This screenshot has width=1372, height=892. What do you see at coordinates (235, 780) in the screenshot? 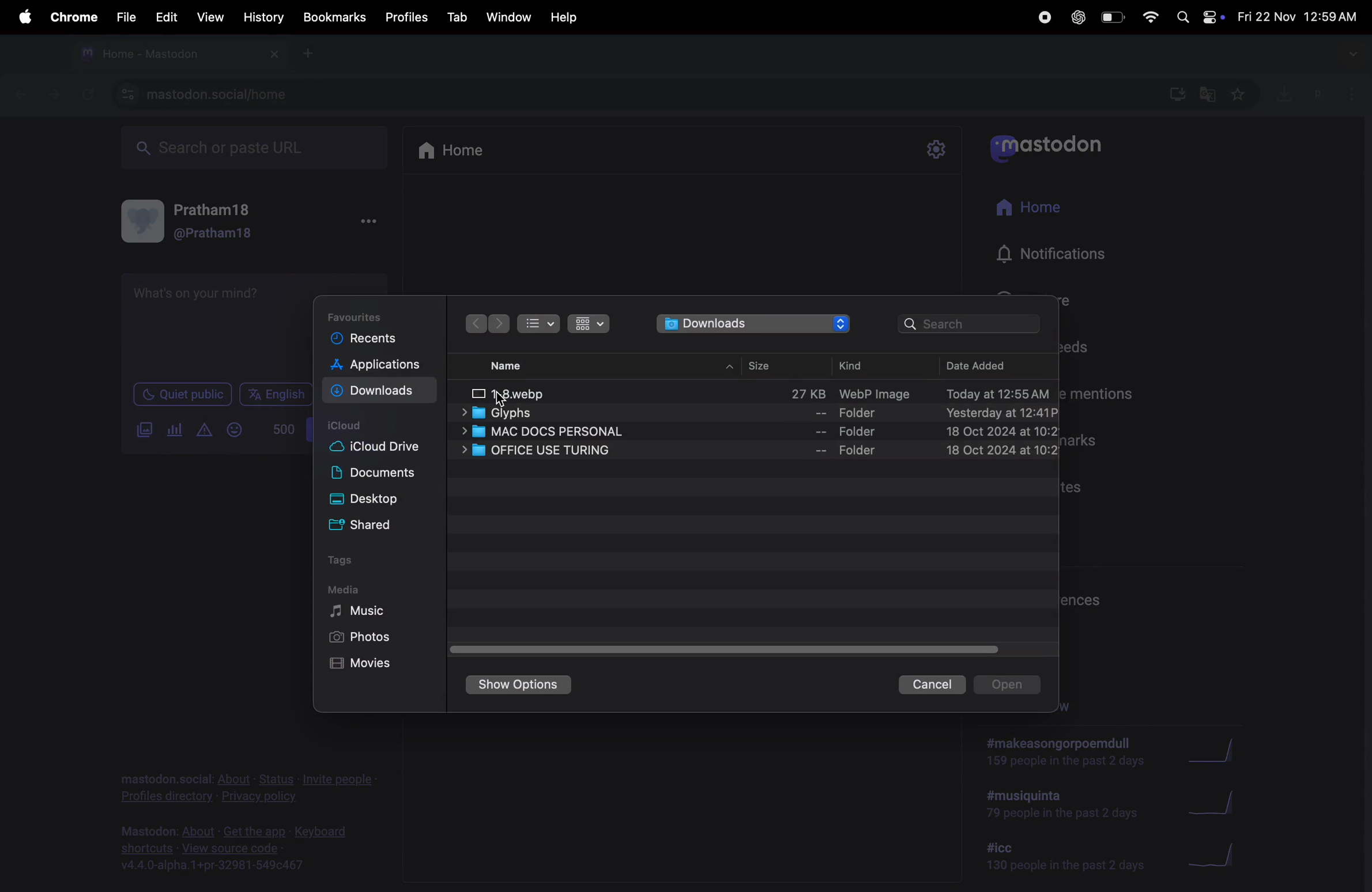
I see `about` at bounding box center [235, 780].